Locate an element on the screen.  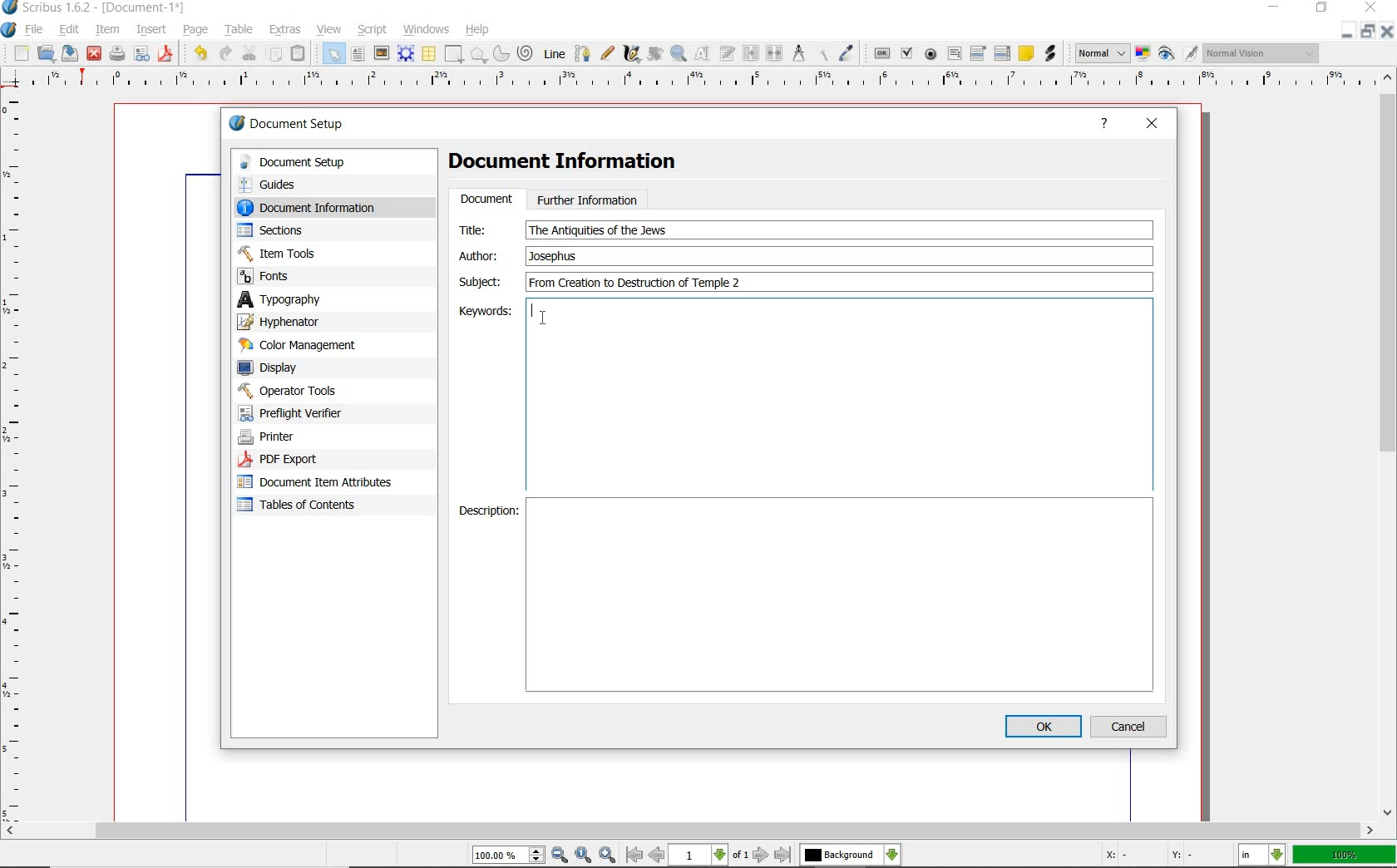
script is located at coordinates (373, 30).